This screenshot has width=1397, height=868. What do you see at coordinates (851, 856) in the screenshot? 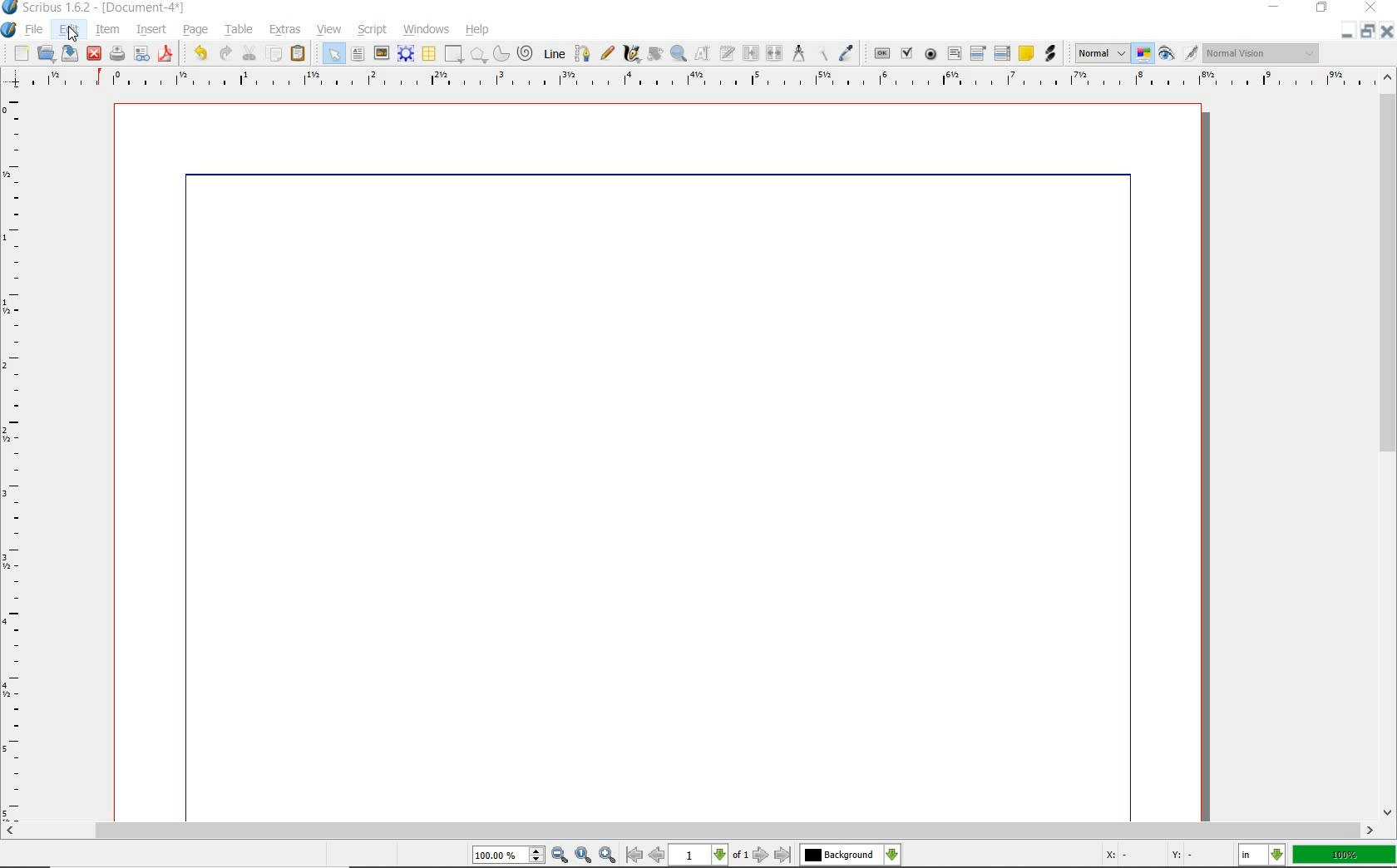
I see `Background` at bounding box center [851, 856].